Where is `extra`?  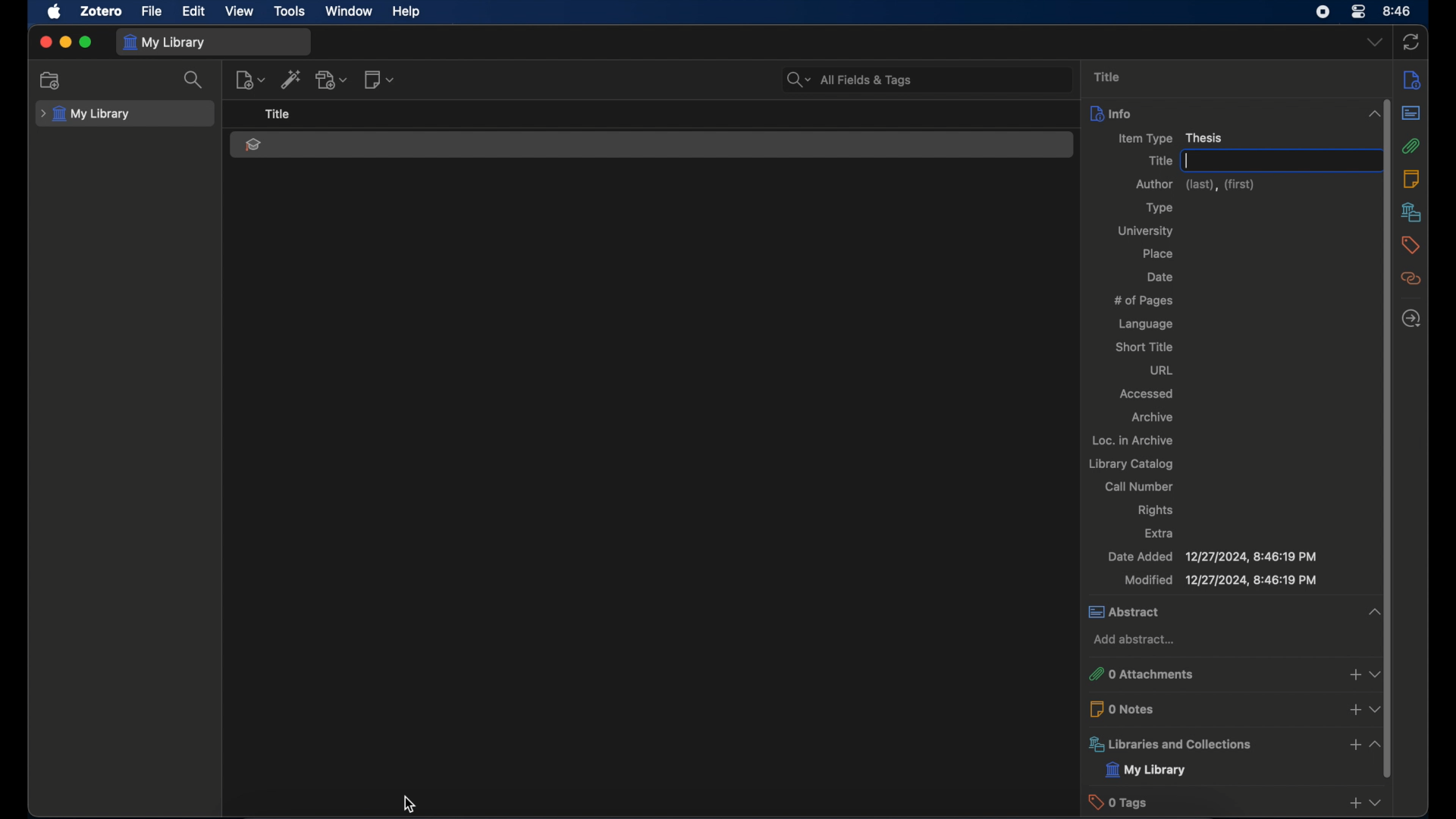
extra is located at coordinates (1159, 532).